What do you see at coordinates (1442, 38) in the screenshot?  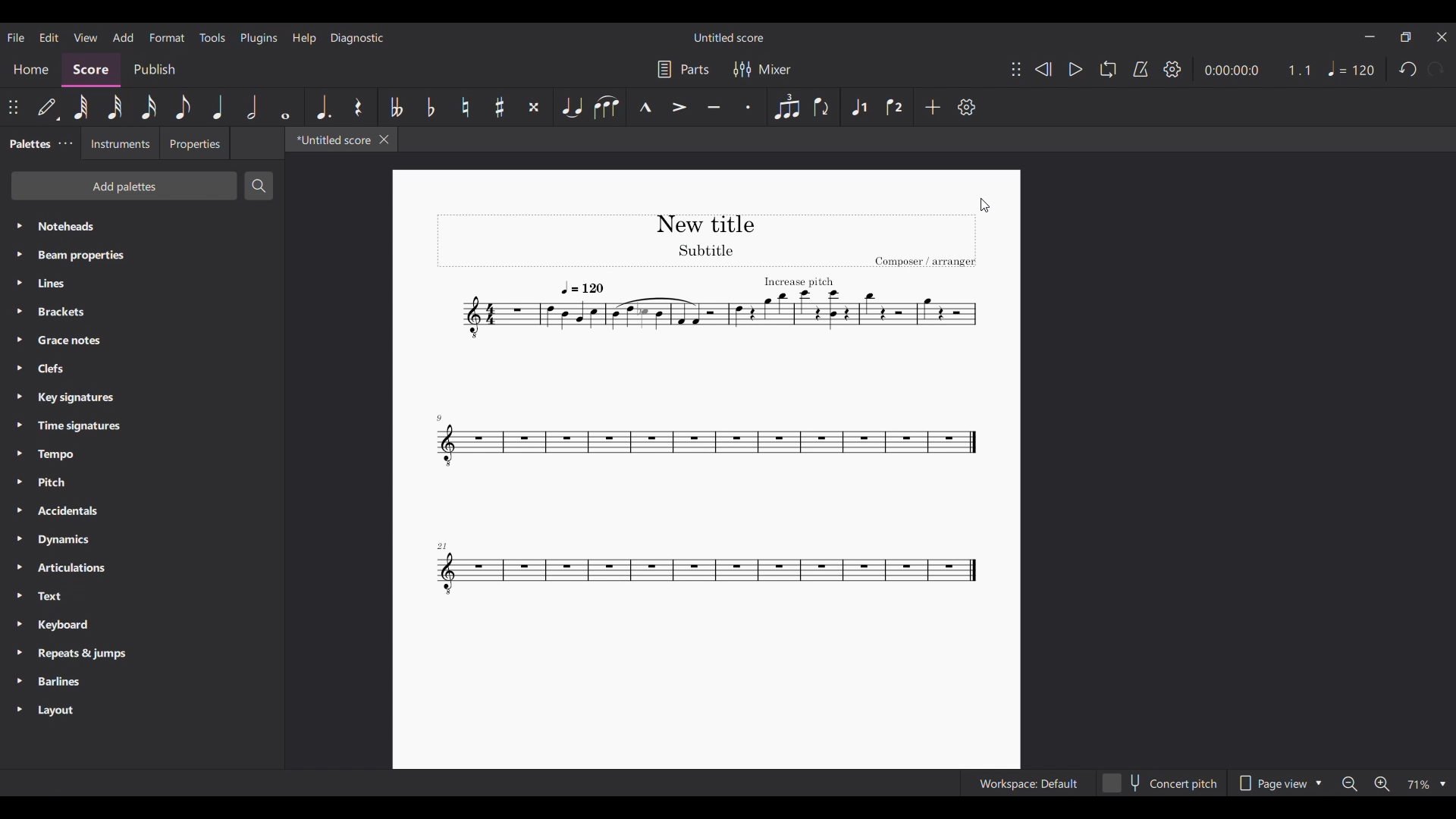 I see `Close interface` at bounding box center [1442, 38].